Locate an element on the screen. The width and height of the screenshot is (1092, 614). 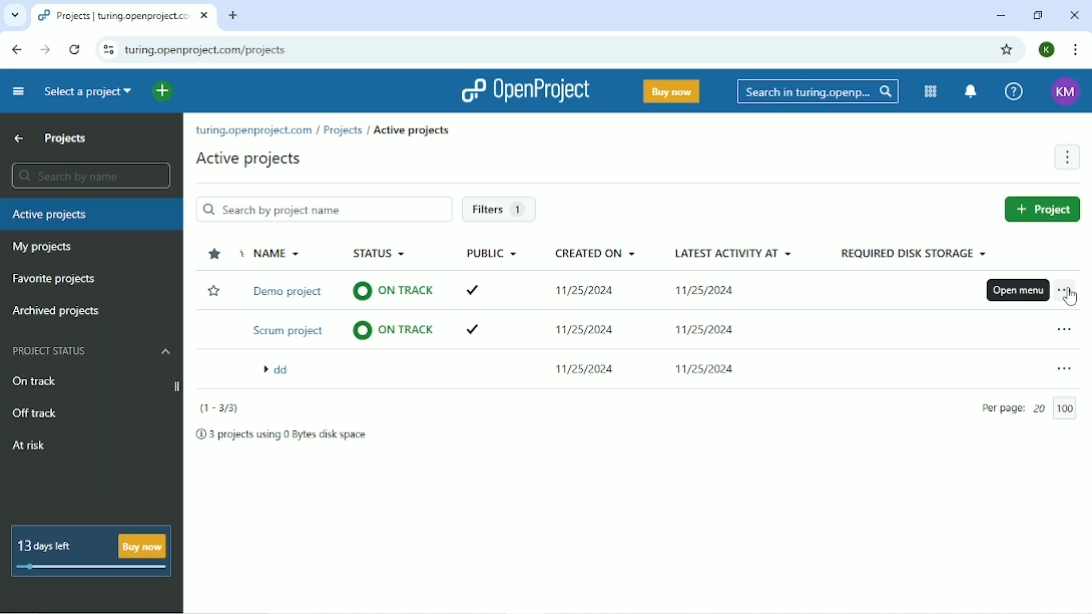
Search tabs is located at coordinates (15, 16).